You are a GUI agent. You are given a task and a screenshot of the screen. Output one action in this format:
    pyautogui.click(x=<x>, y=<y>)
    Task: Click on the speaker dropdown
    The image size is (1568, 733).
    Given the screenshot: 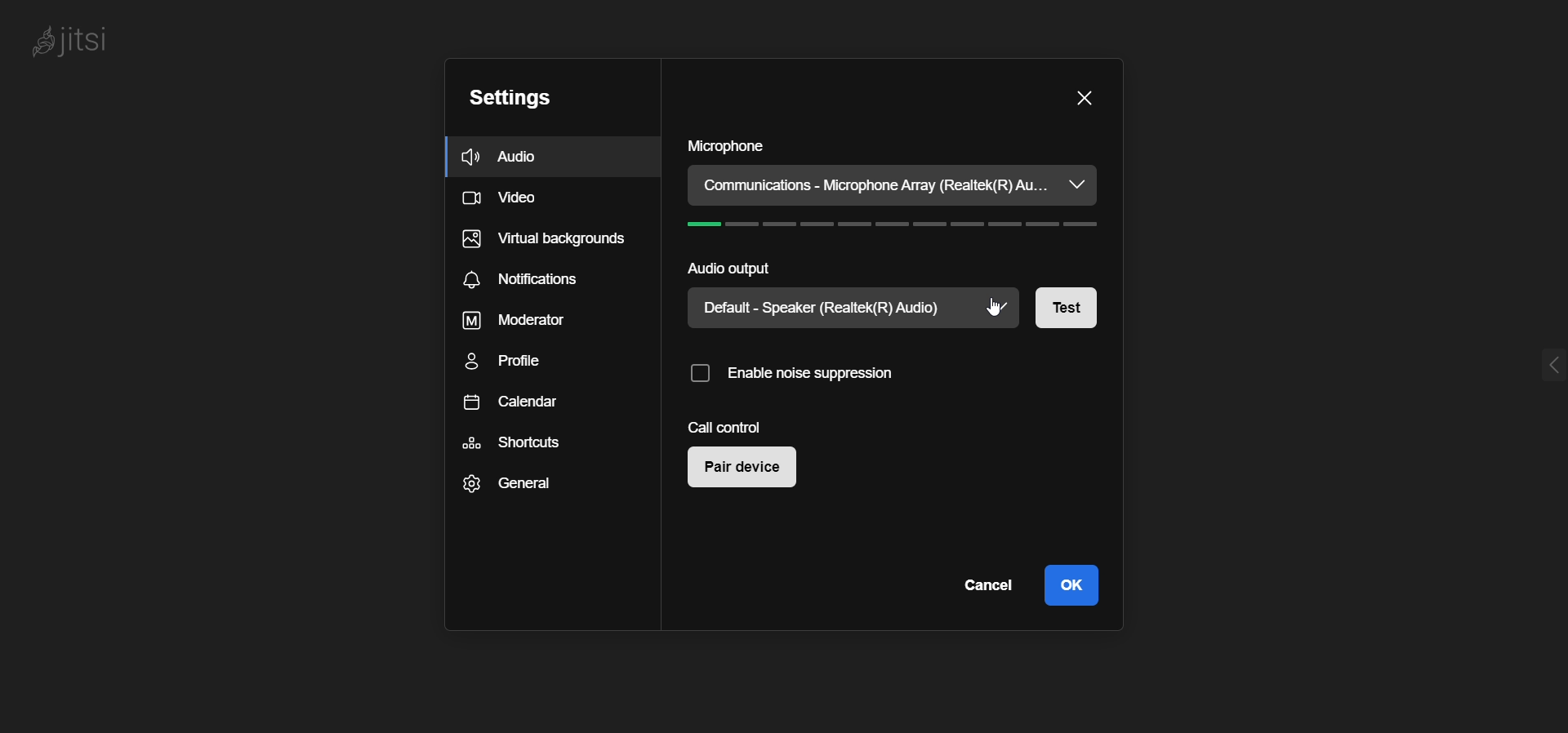 What is the action you would take?
    pyautogui.click(x=1003, y=309)
    